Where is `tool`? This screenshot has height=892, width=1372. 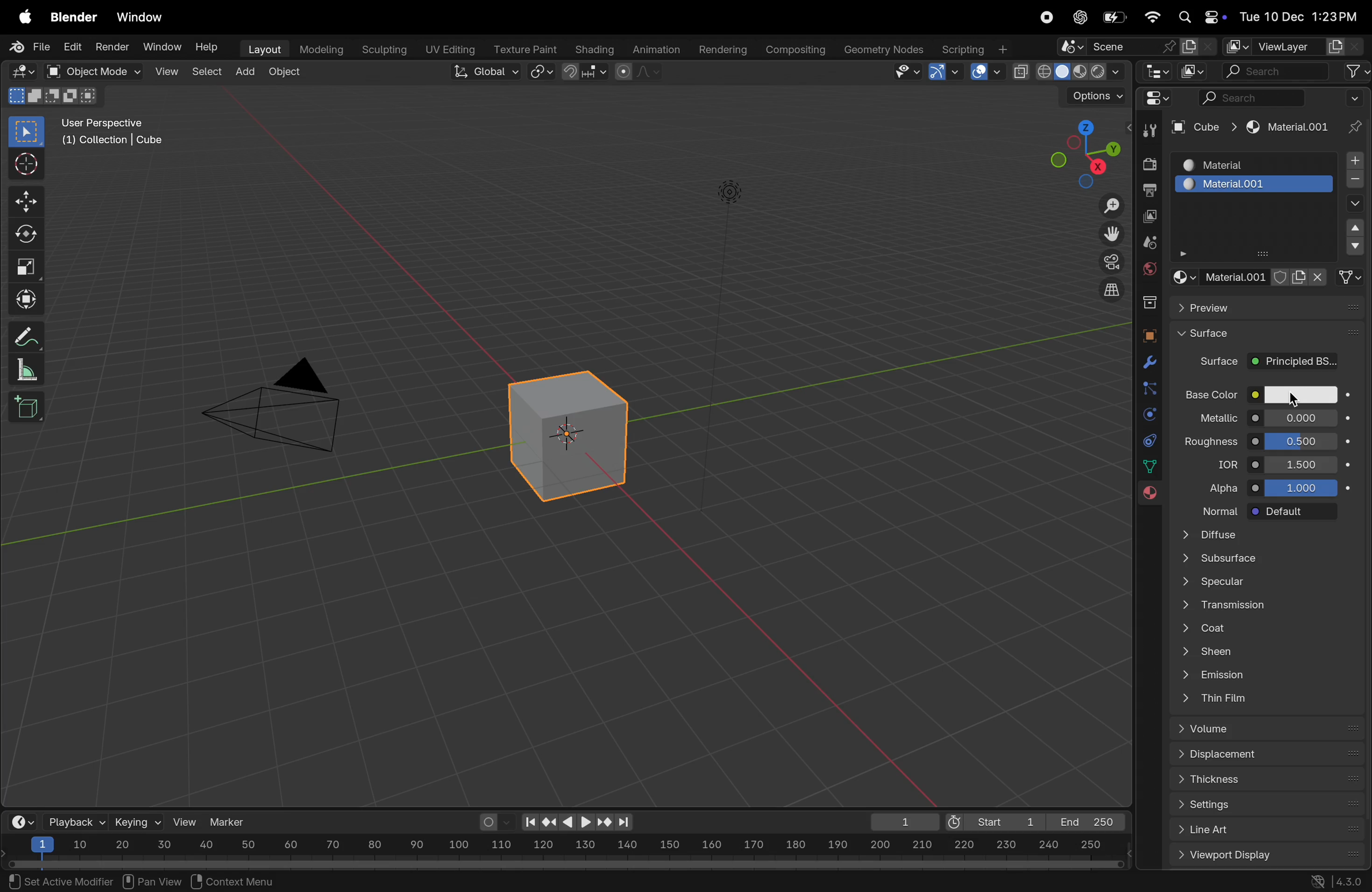
tool is located at coordinates (1146, 133).